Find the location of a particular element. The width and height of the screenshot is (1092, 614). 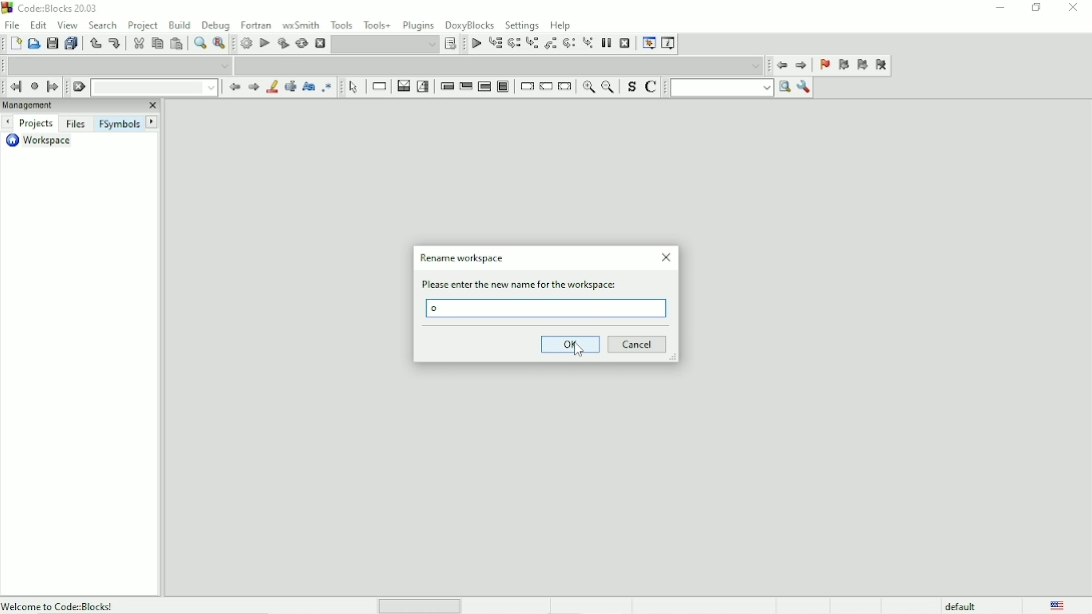

Code::Blocks 20.03 is located at coordinates (51, 8).